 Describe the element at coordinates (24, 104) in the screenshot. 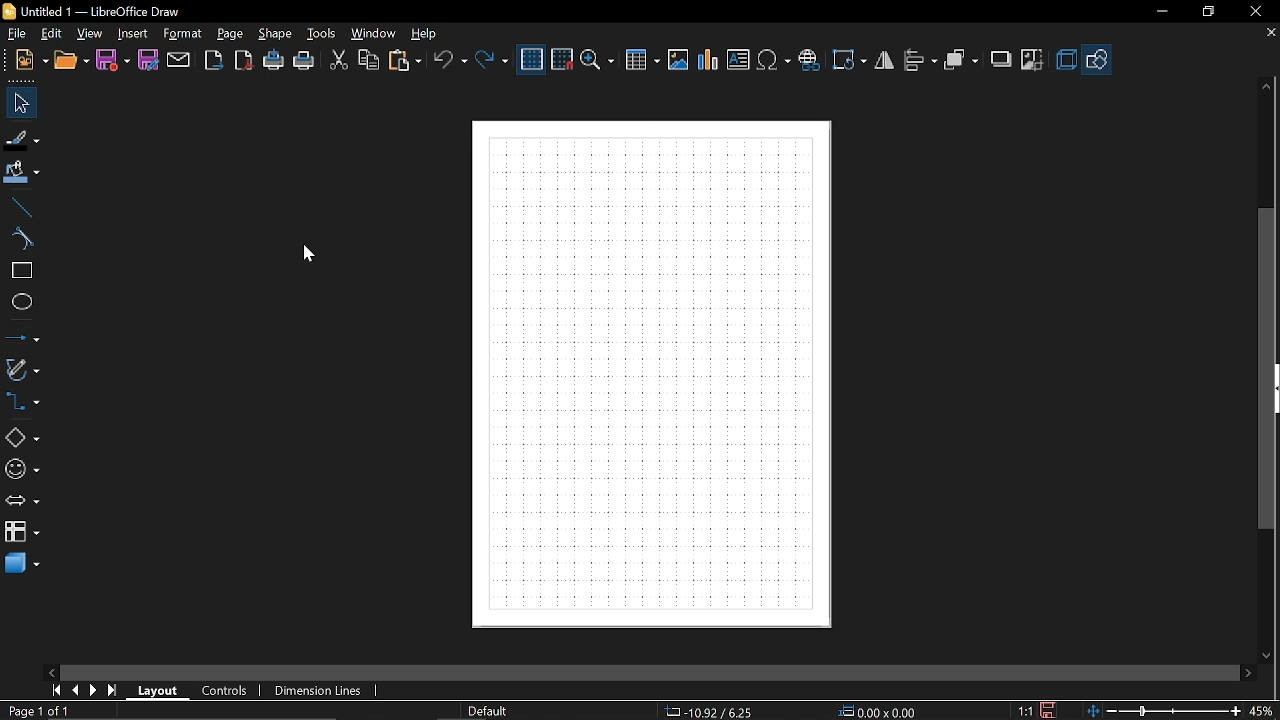

I see `Select` at that location.